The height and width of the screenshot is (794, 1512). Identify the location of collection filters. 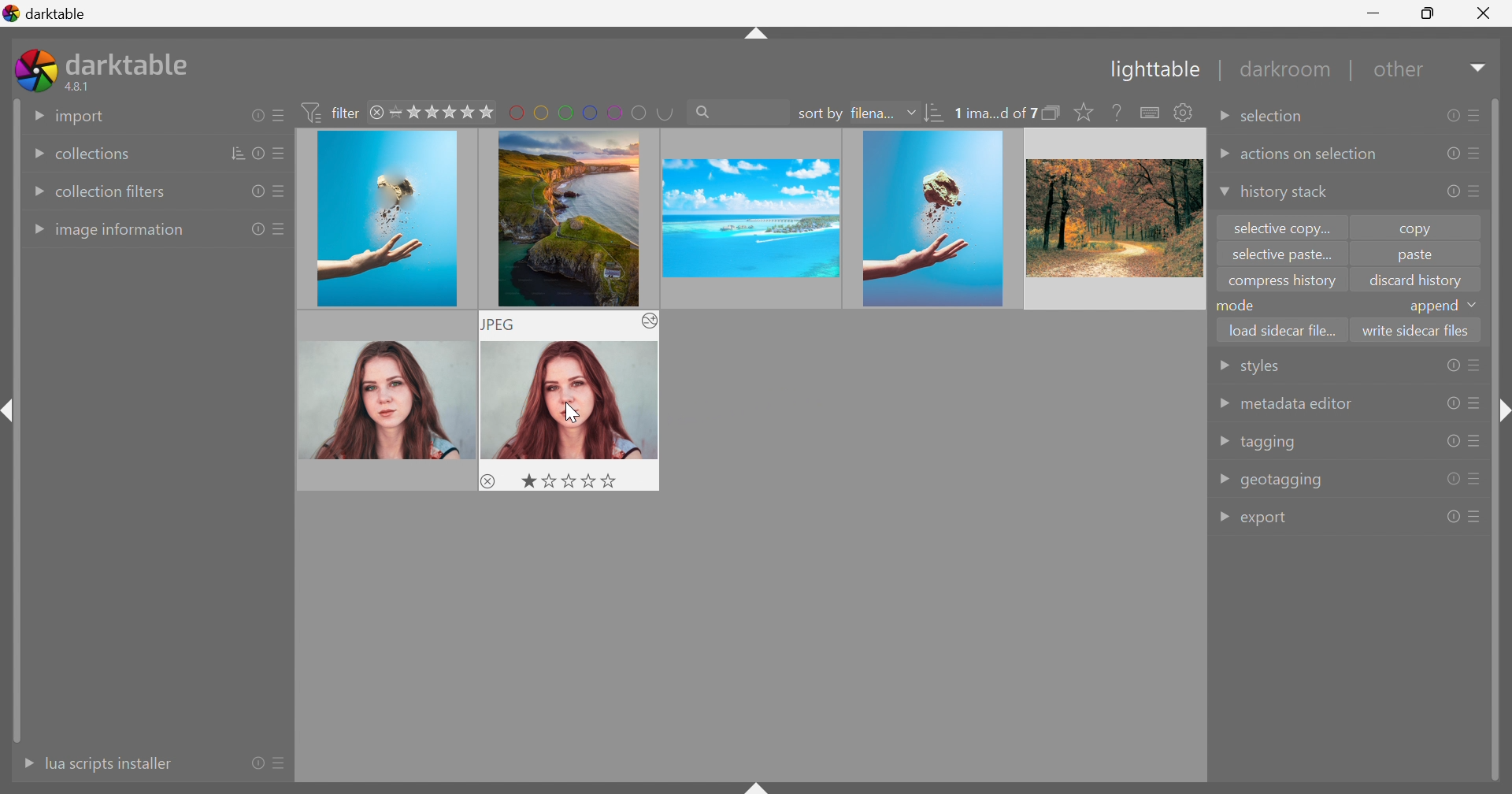
(112, 191).